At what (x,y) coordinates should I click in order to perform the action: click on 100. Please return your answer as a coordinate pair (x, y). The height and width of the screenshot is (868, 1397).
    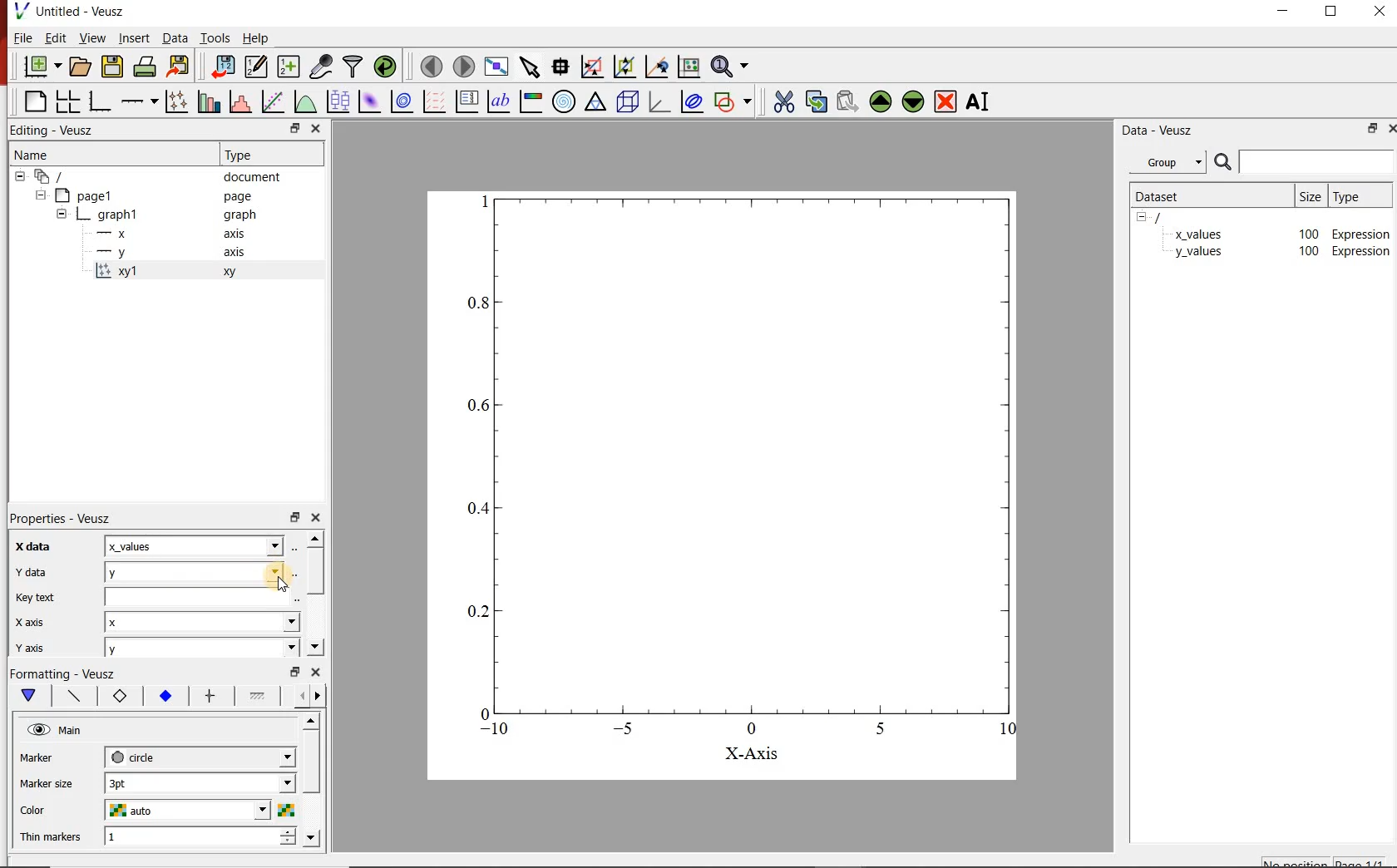
    Looking at the image, I should click on (1308, 233).